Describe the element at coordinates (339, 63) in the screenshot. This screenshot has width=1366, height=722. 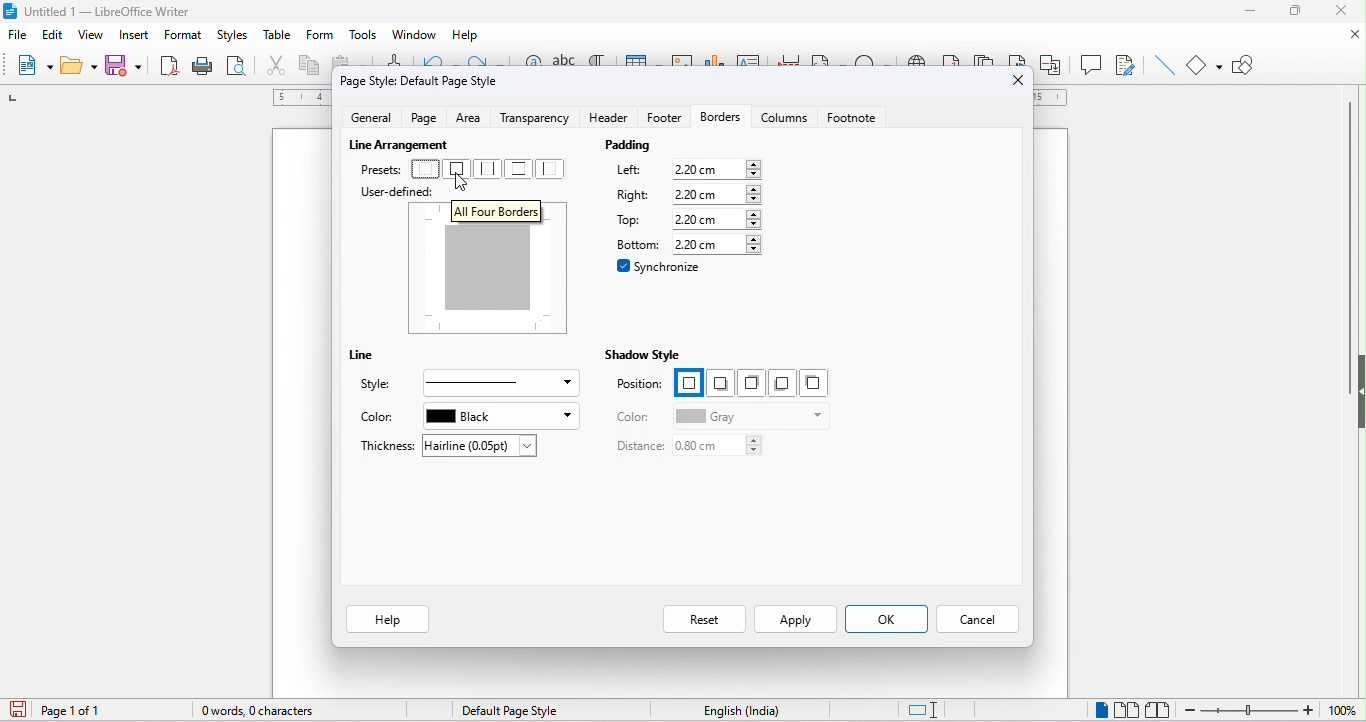
I see `paste` at that location.